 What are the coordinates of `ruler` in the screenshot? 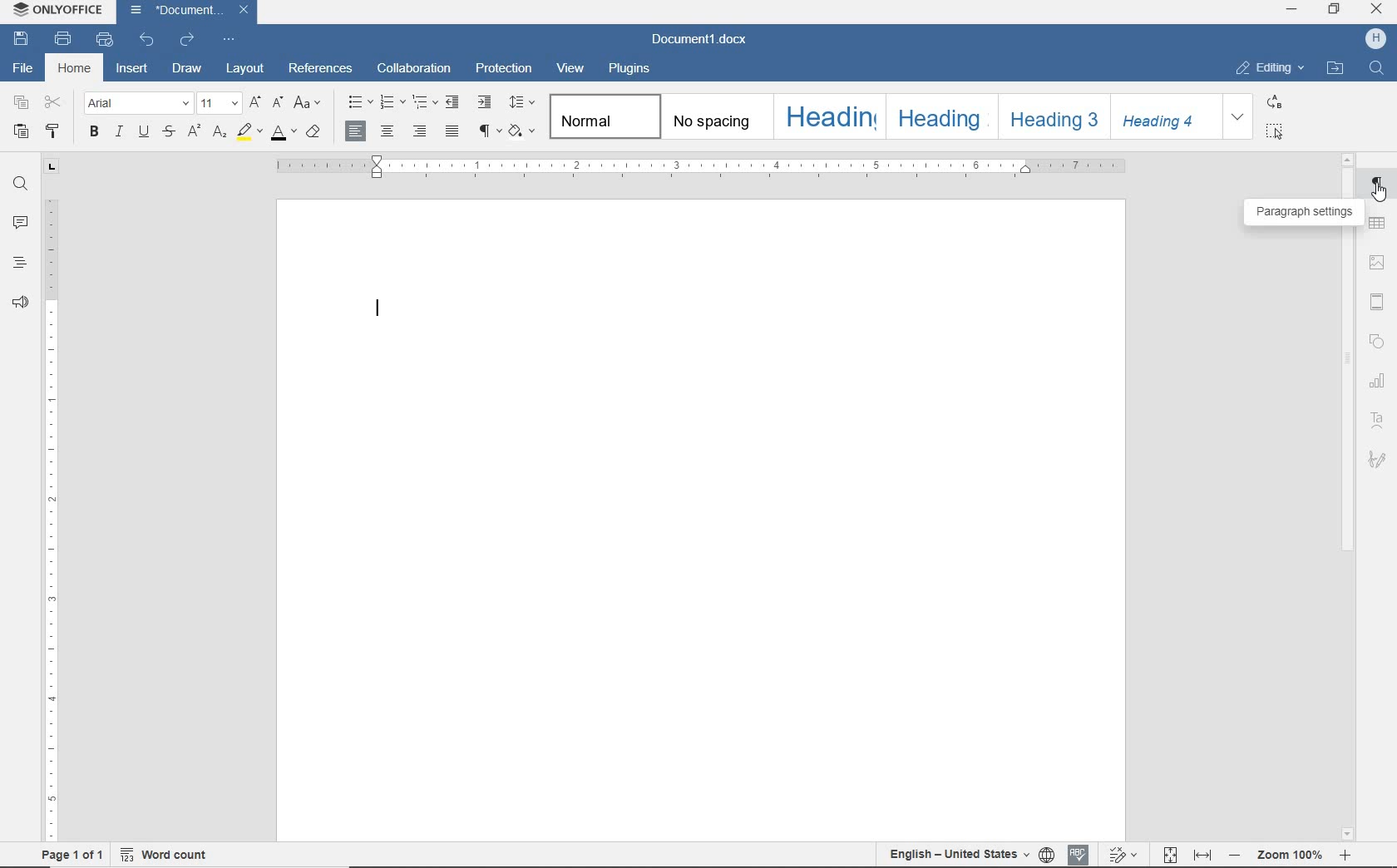 It's located at (698, 169).